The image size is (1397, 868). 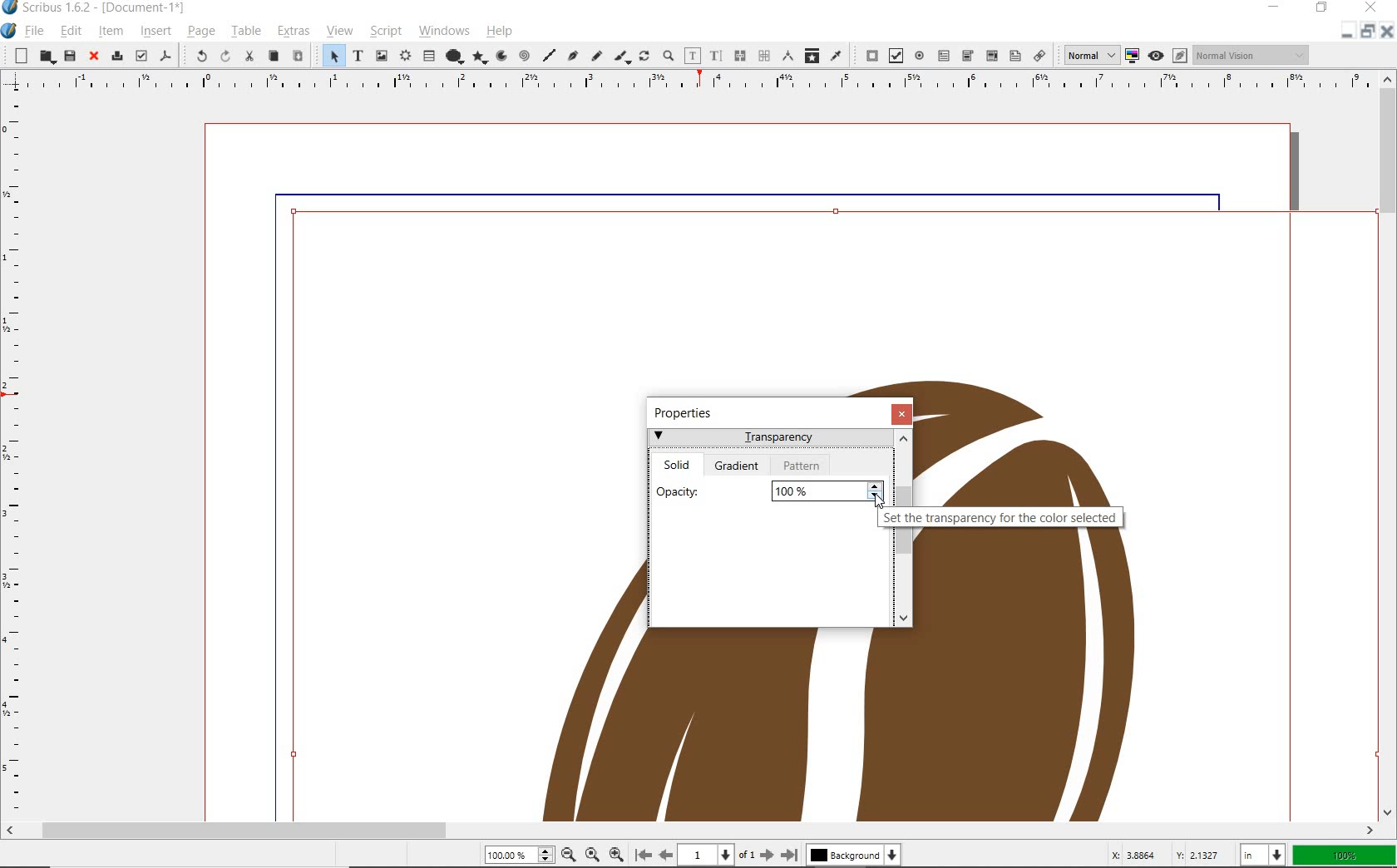 What do you see at coordinates (811, 55) in the screenshot?
I see `copy item properties` at bounding box center [811, 55].